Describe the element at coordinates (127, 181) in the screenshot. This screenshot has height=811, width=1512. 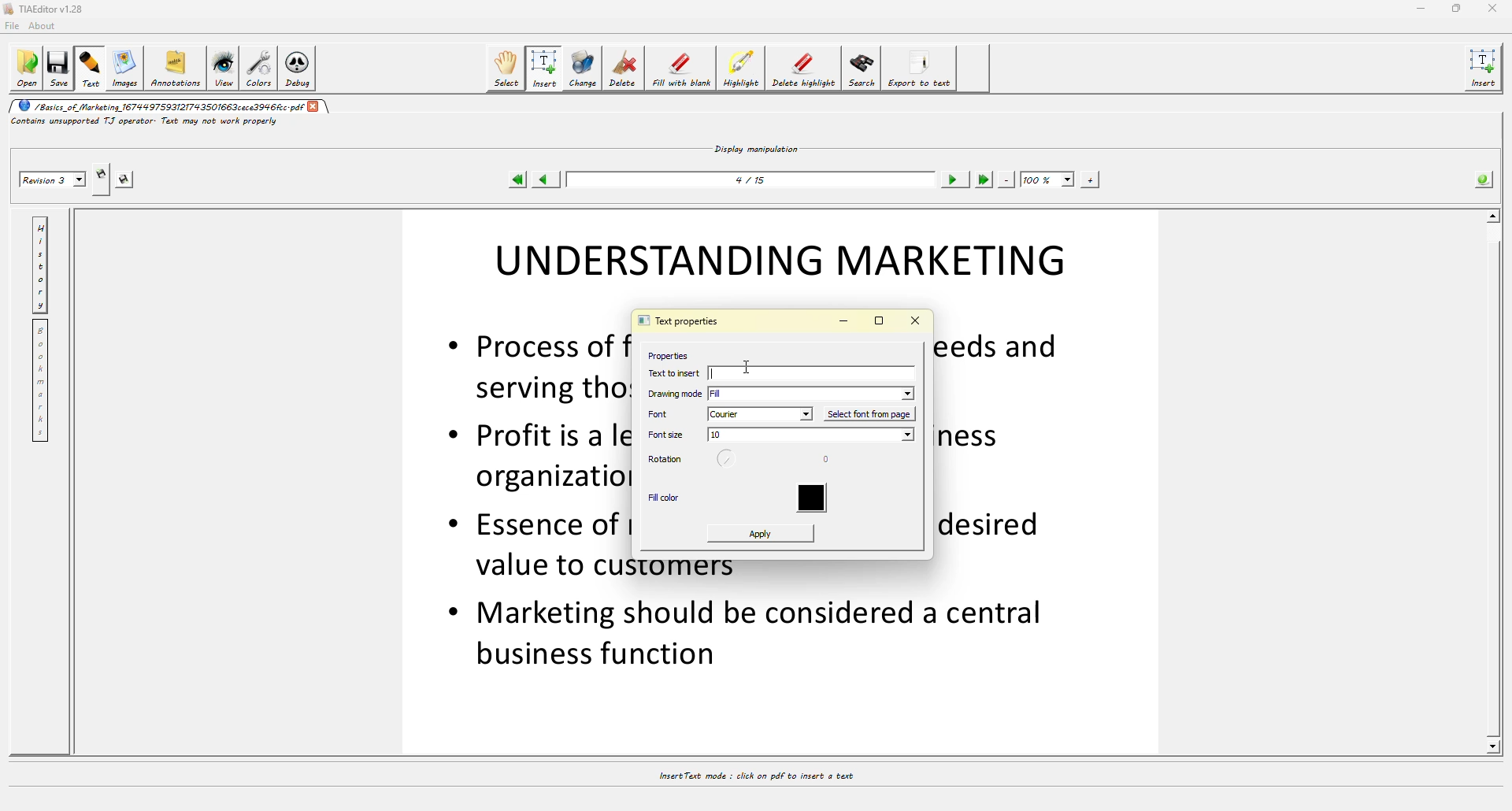
I see `saves the revision` at that location.